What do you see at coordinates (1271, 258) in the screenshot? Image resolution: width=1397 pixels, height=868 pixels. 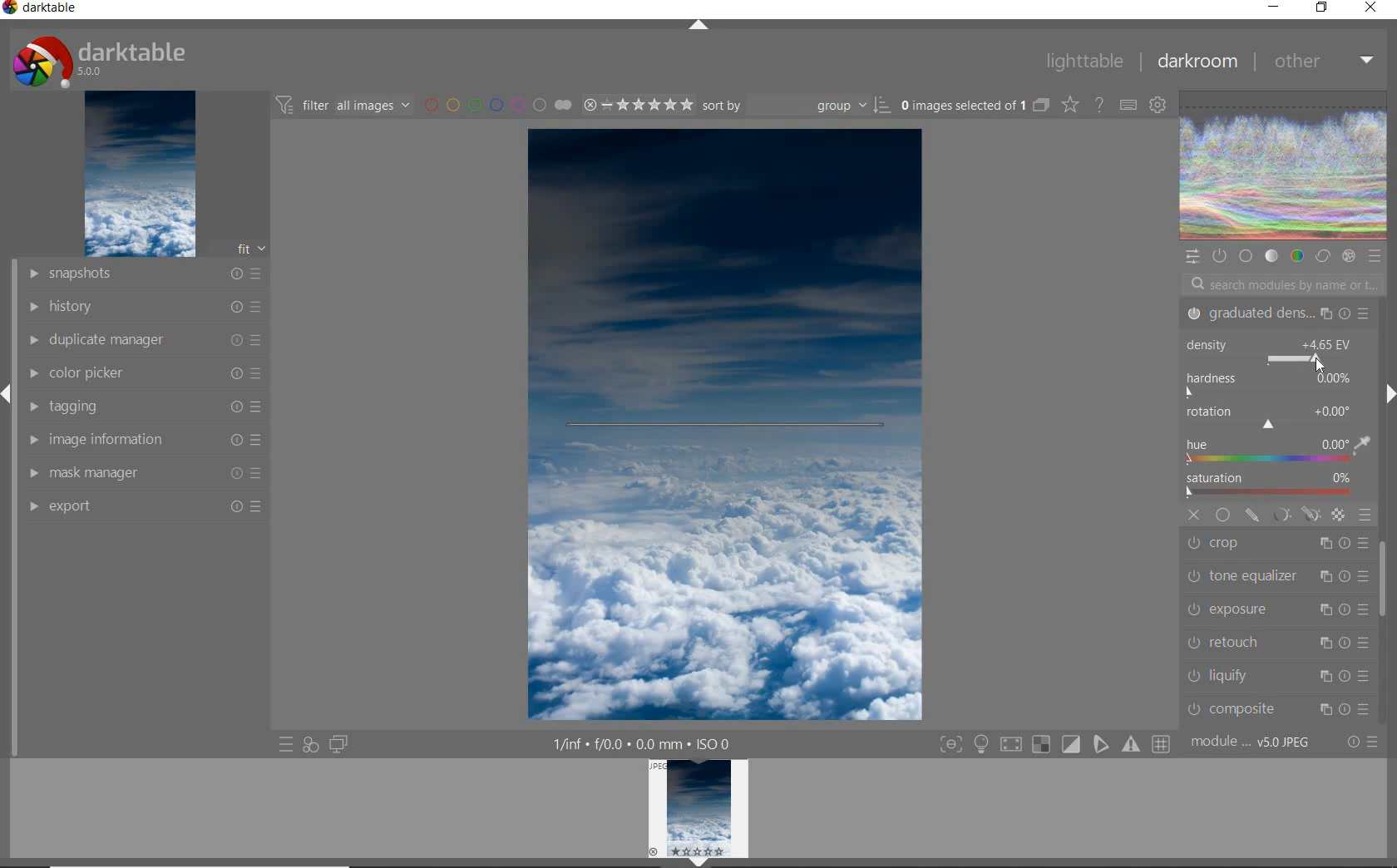 I see `TONE` at bounding box center [1271, 258].